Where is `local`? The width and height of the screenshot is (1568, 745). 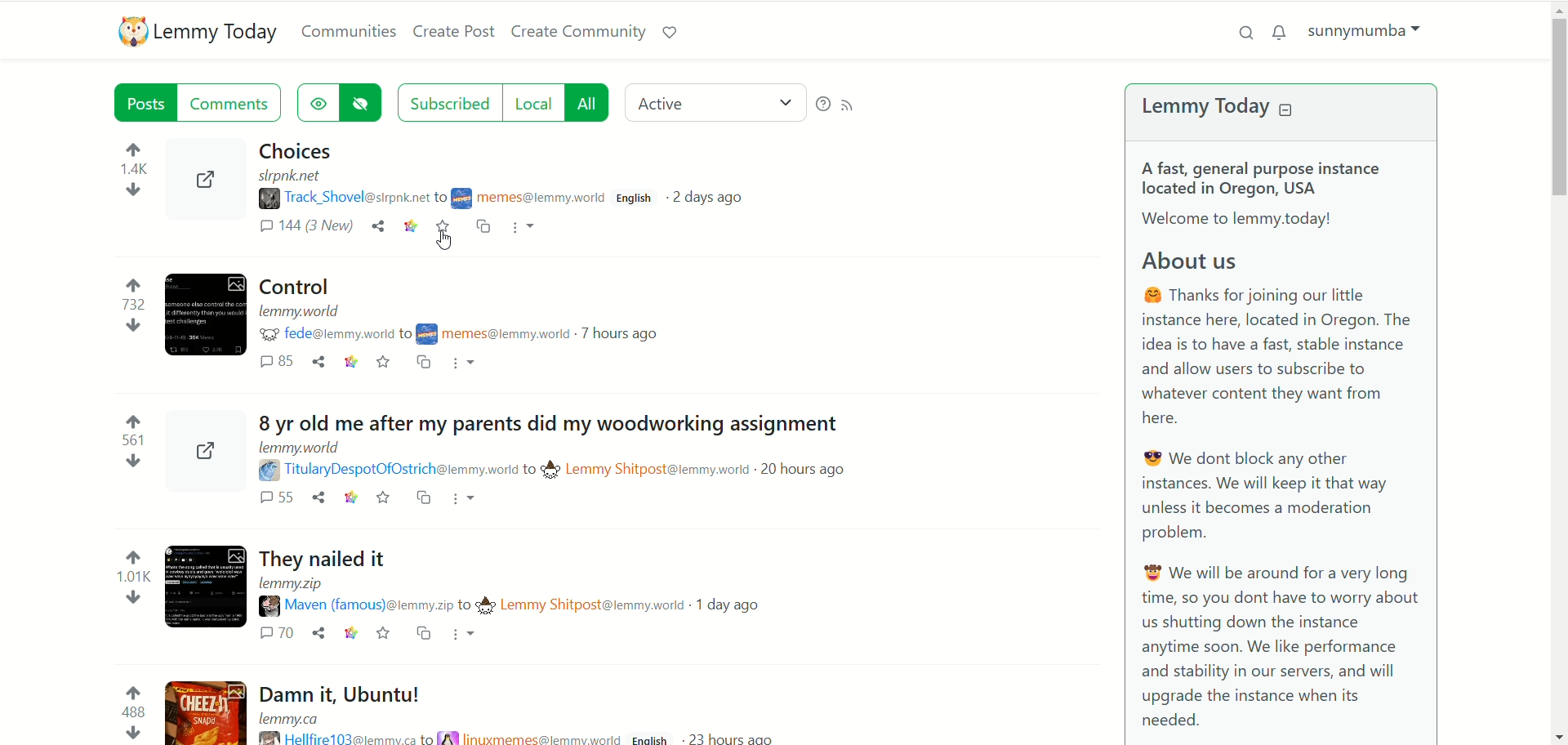 local is located at coordinates (533, 100).